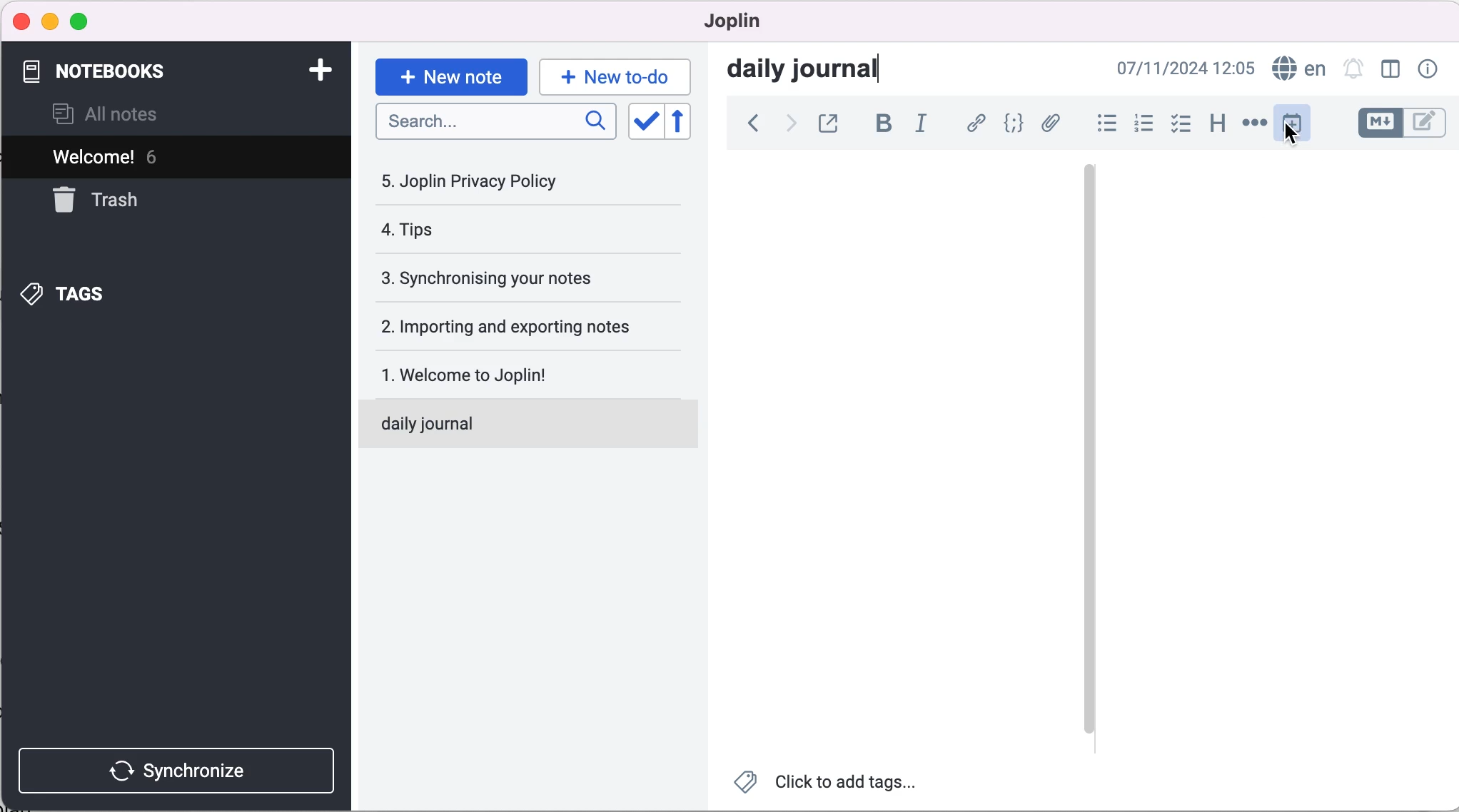 This screenshot has width=1459, height=812. I want to click on welcome to joplin!, so click(489, 374).